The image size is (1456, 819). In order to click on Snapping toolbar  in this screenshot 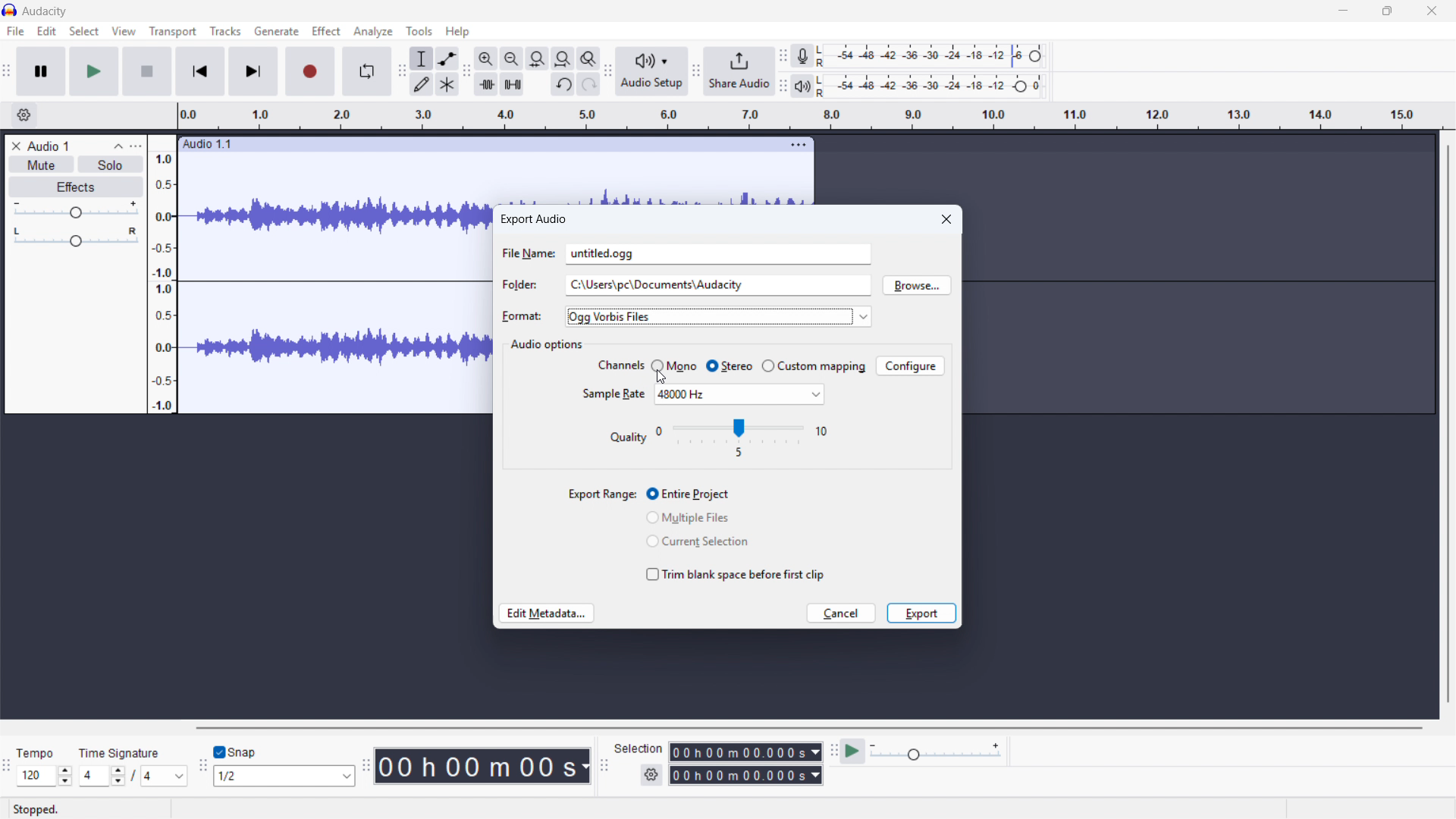, I will do `click(203, 765)`.